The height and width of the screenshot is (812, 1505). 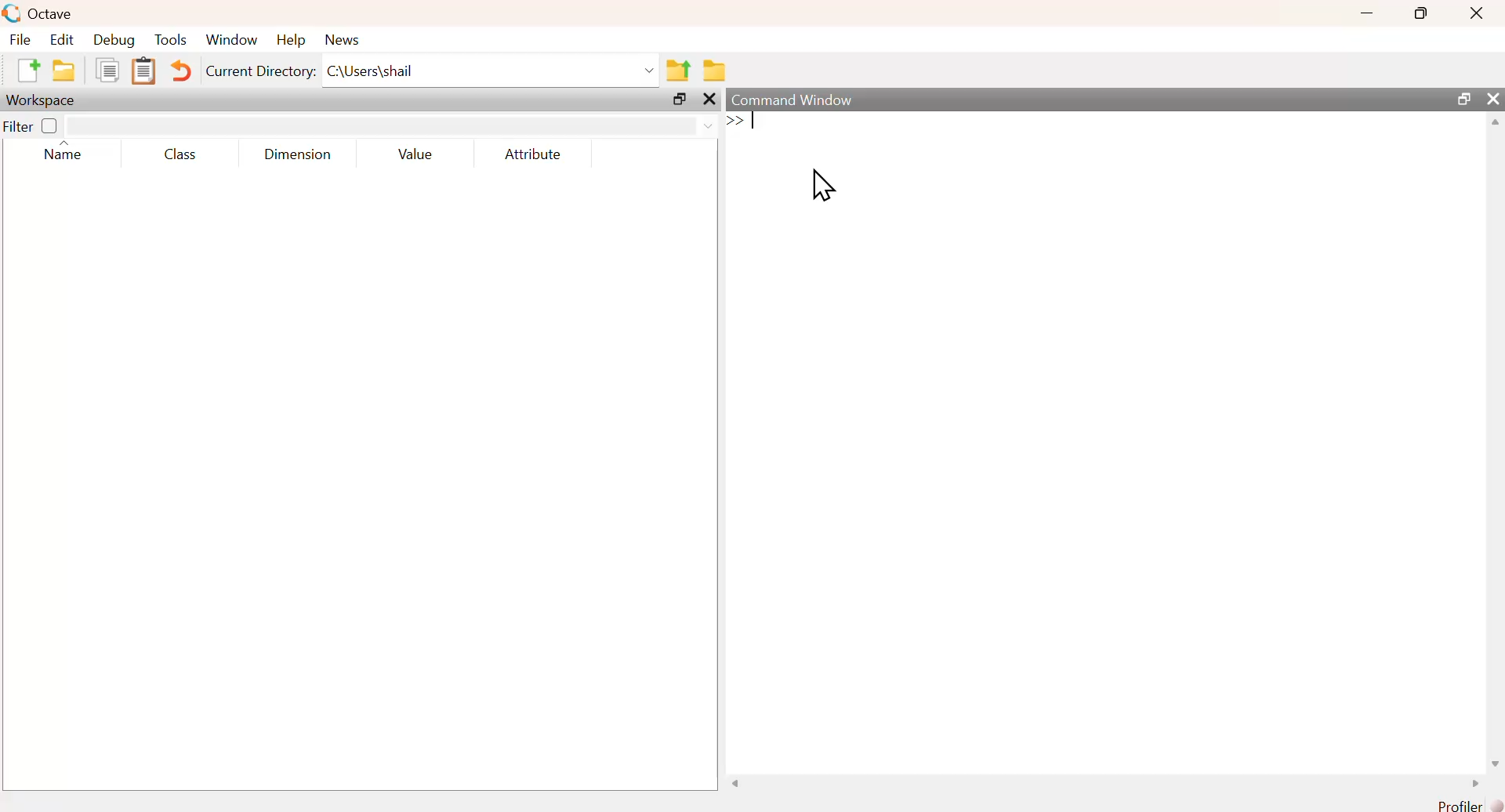 What do you see at coordinates (300, 155) in the screenshot?
I see `Dimension` at bounding box center [300, 155].